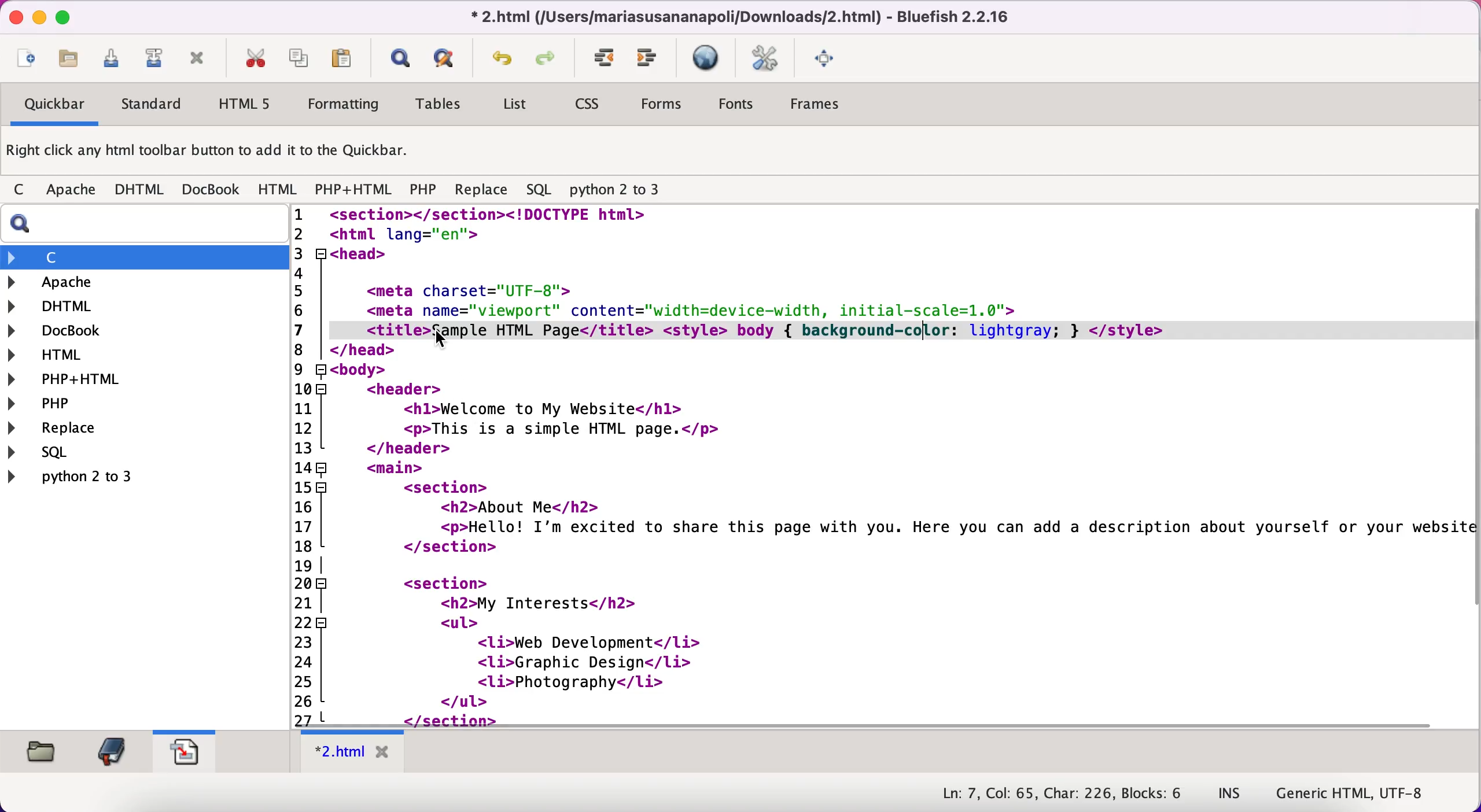 This screenshot has width=1481, height=812. What do you see at coordinates (1361, 792) in the screenshot?
I see `generic html, utf-8` at bounding box center [1361, 792].